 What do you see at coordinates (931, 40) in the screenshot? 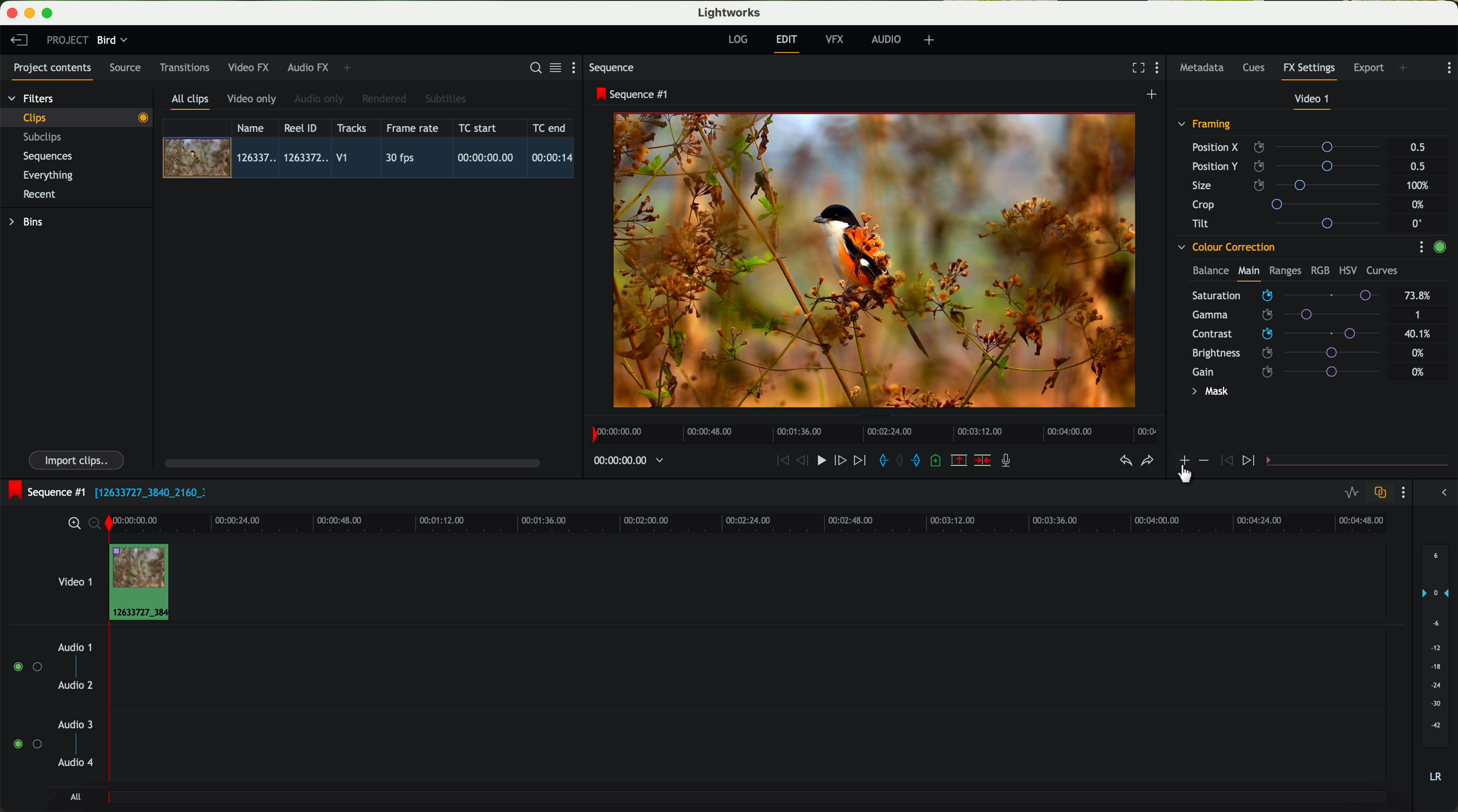
I see `add, remove and create layouts` at bounding box center [931, 40].